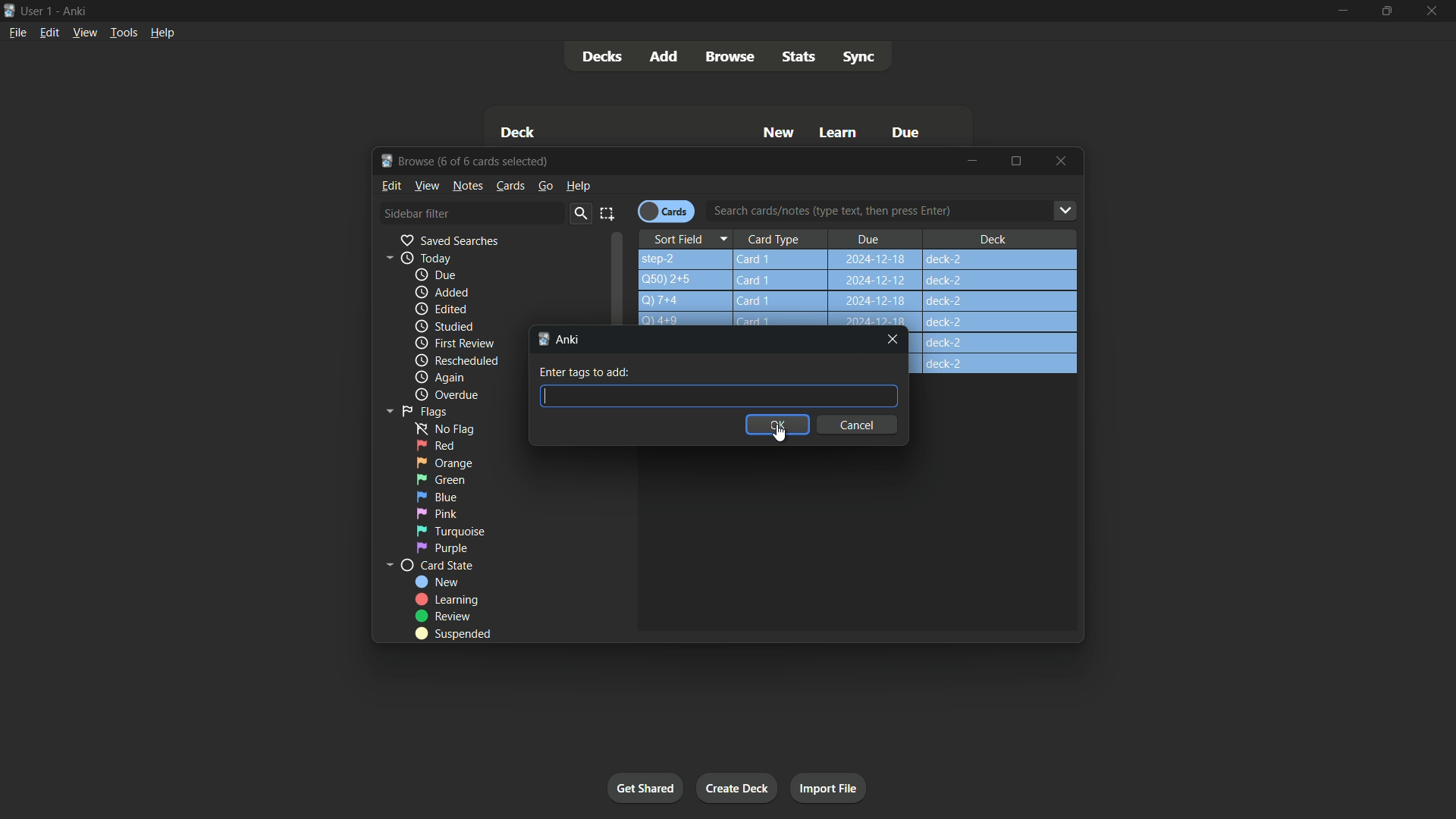  Describe the element at coordinates (1340, 11) in the screenshot. I see `minimize` at that location.